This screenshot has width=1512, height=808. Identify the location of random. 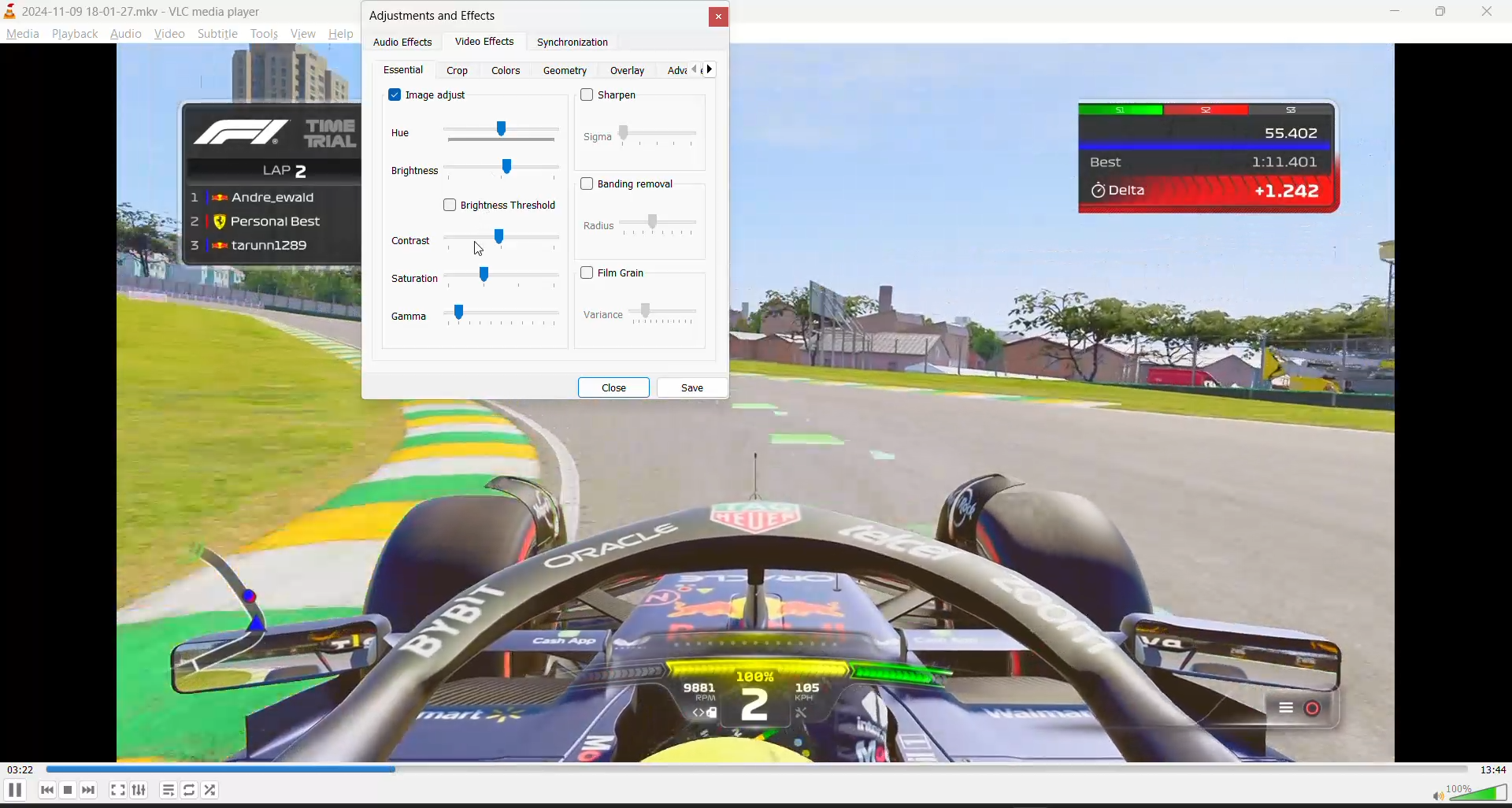
(191, 790).